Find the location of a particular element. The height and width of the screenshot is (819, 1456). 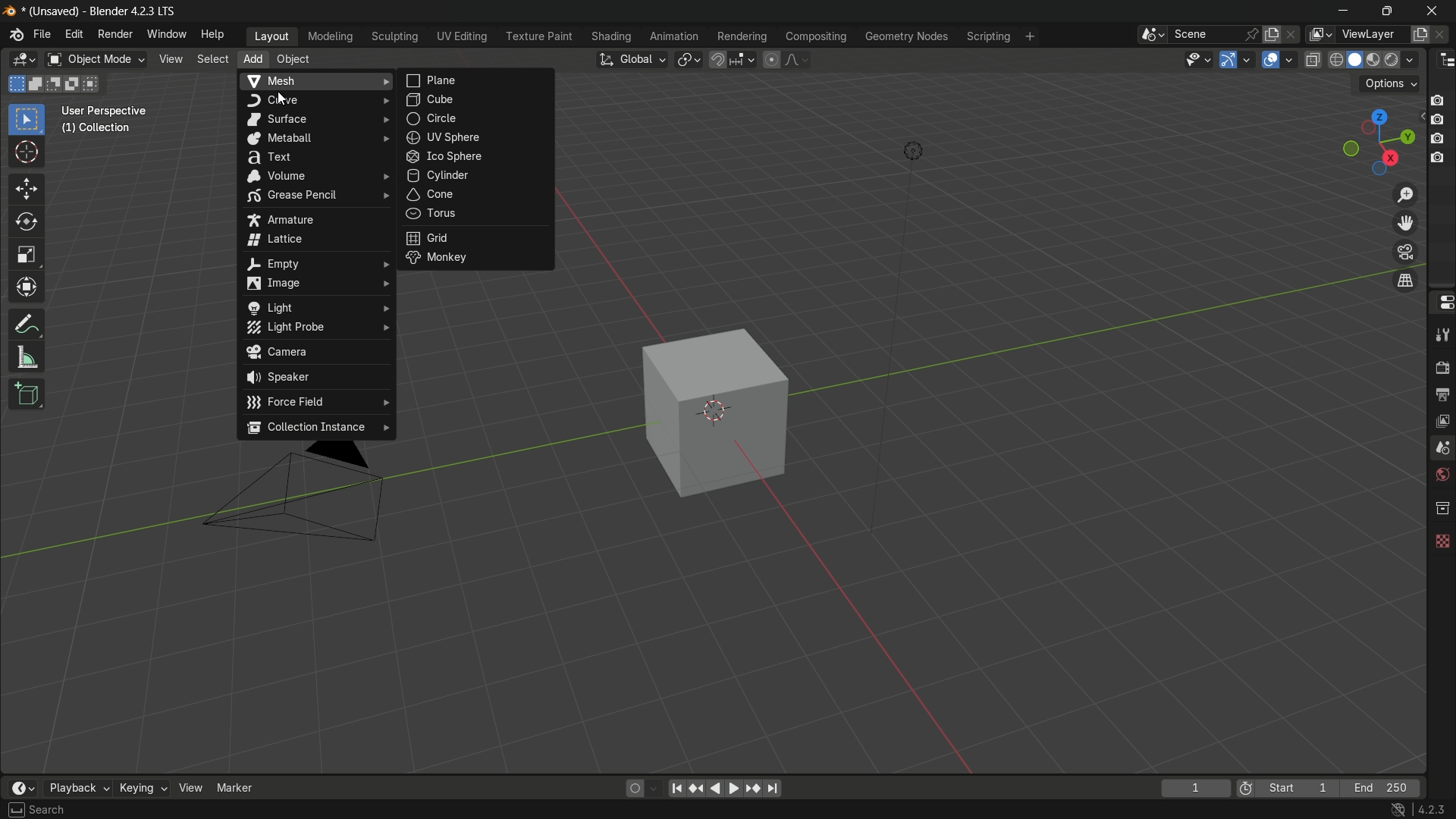

mesh is located at coordinates (315, 81).